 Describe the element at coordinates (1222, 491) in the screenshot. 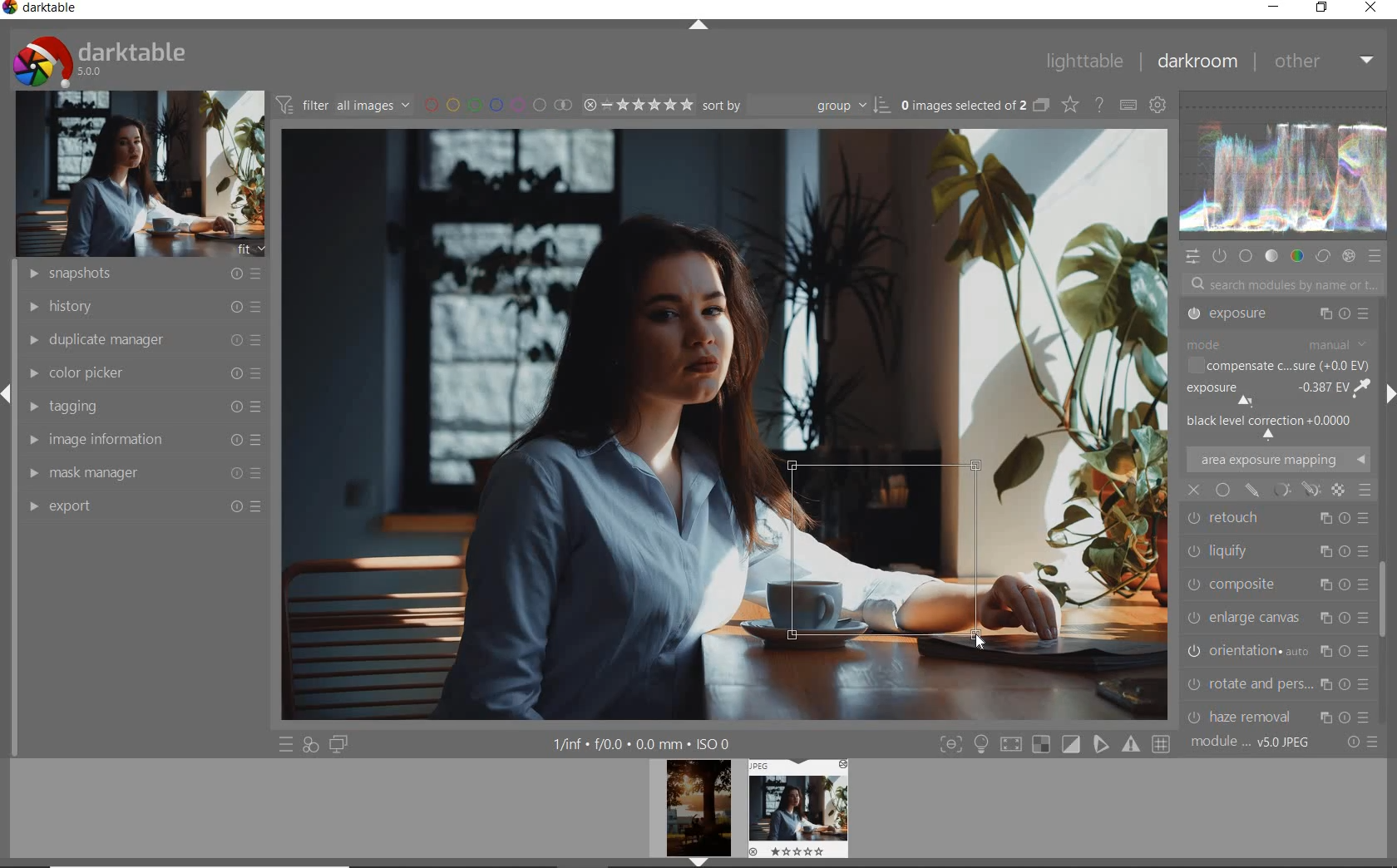

I see `uniformly` at that location.